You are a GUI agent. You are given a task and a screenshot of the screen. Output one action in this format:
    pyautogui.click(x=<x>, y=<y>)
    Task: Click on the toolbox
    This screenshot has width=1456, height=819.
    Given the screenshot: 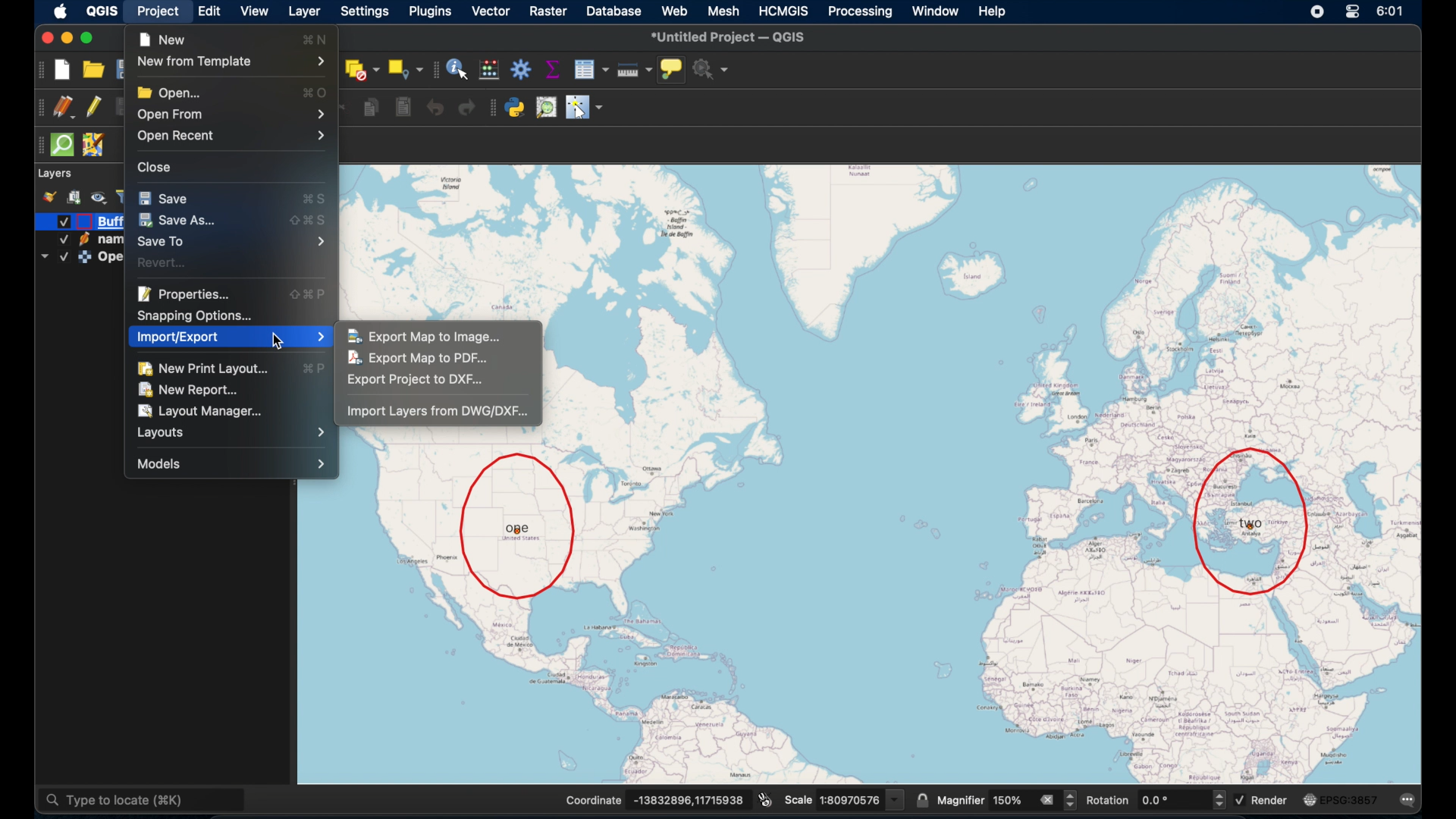 What is the action you would take?
    pyautogui.click(x=522, y=71)
    